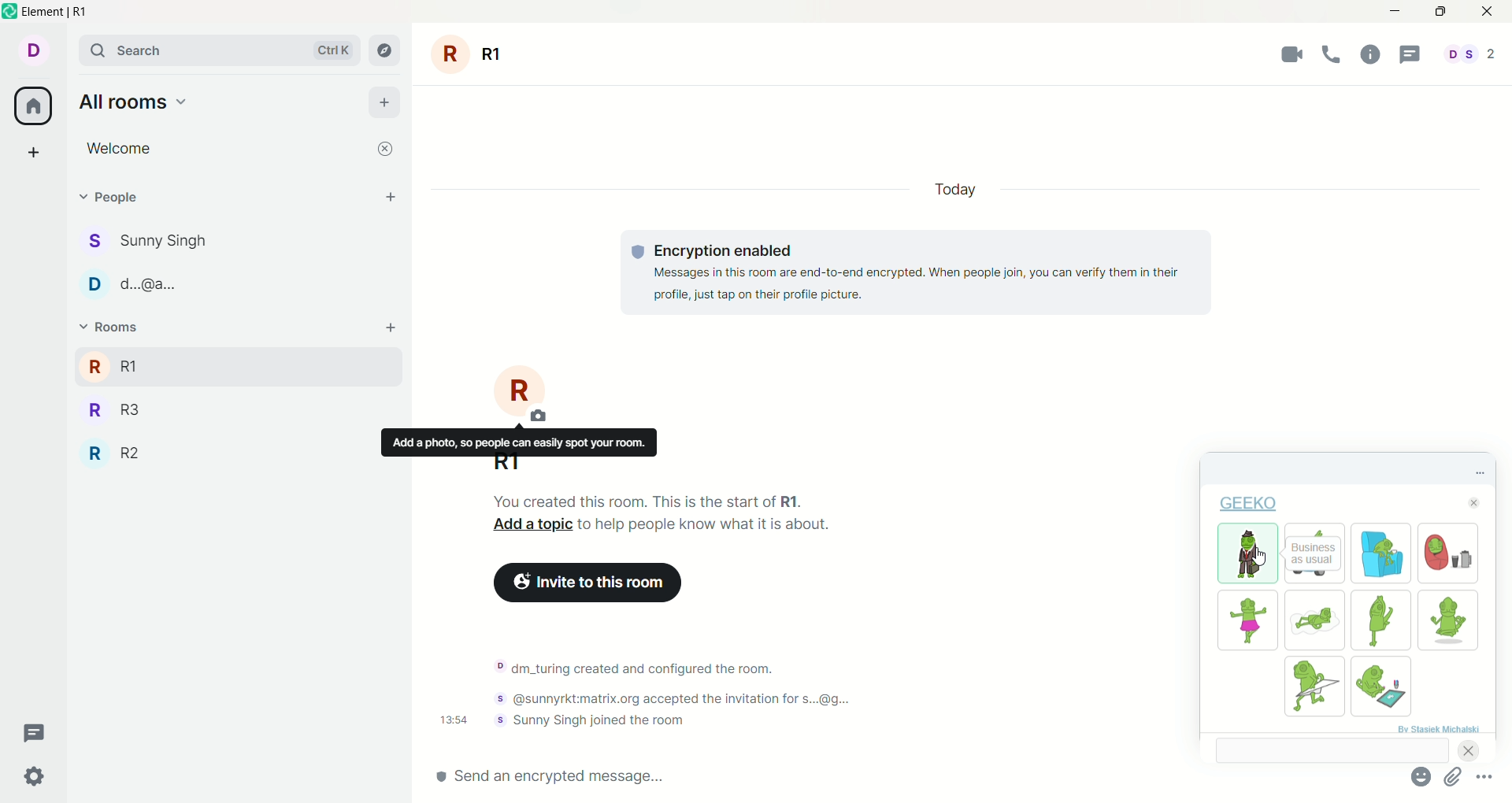  Describe the element at coordinates (221, 50) in the screenshot. I see `search` at that location.